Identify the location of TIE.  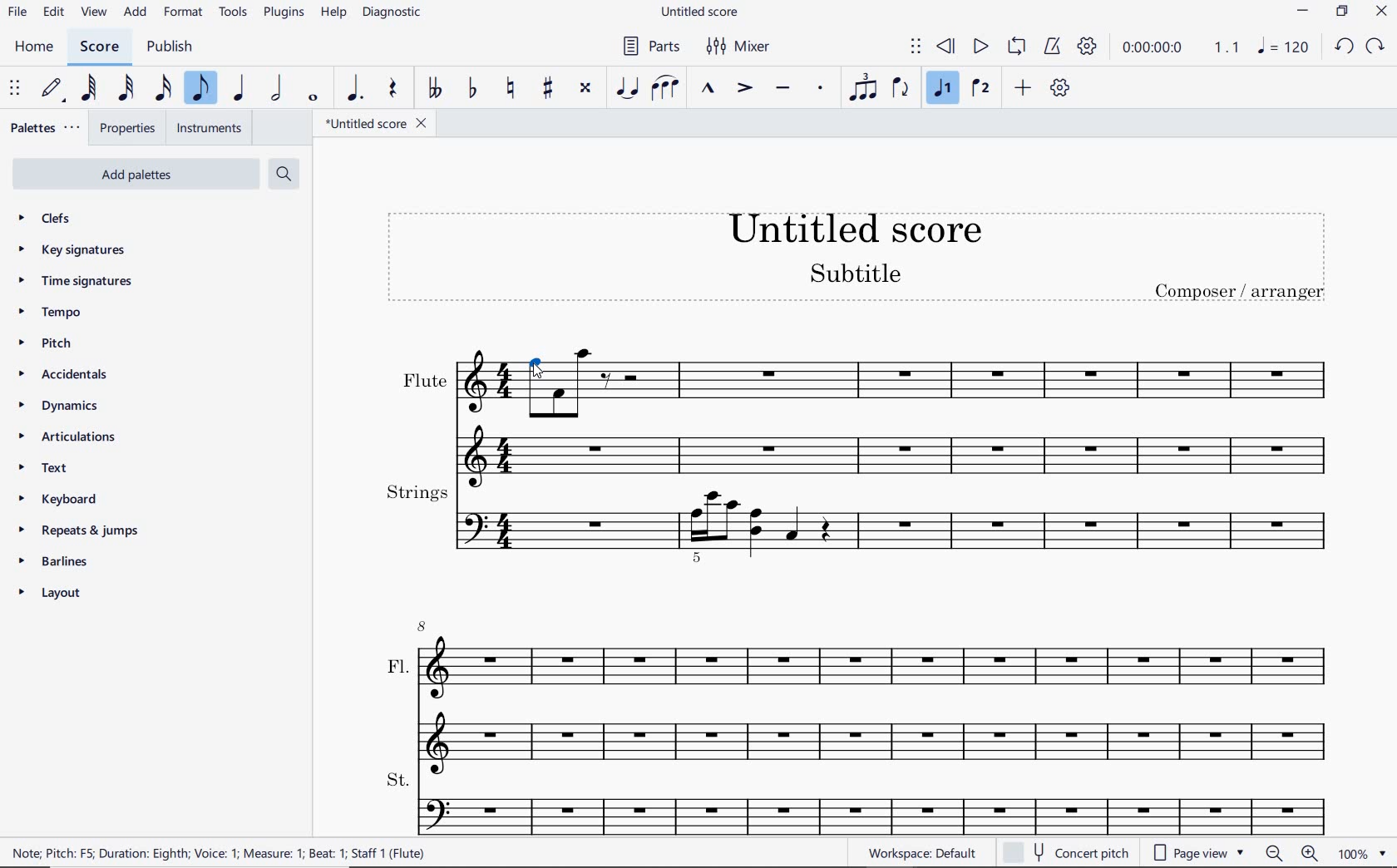
(626, 86).